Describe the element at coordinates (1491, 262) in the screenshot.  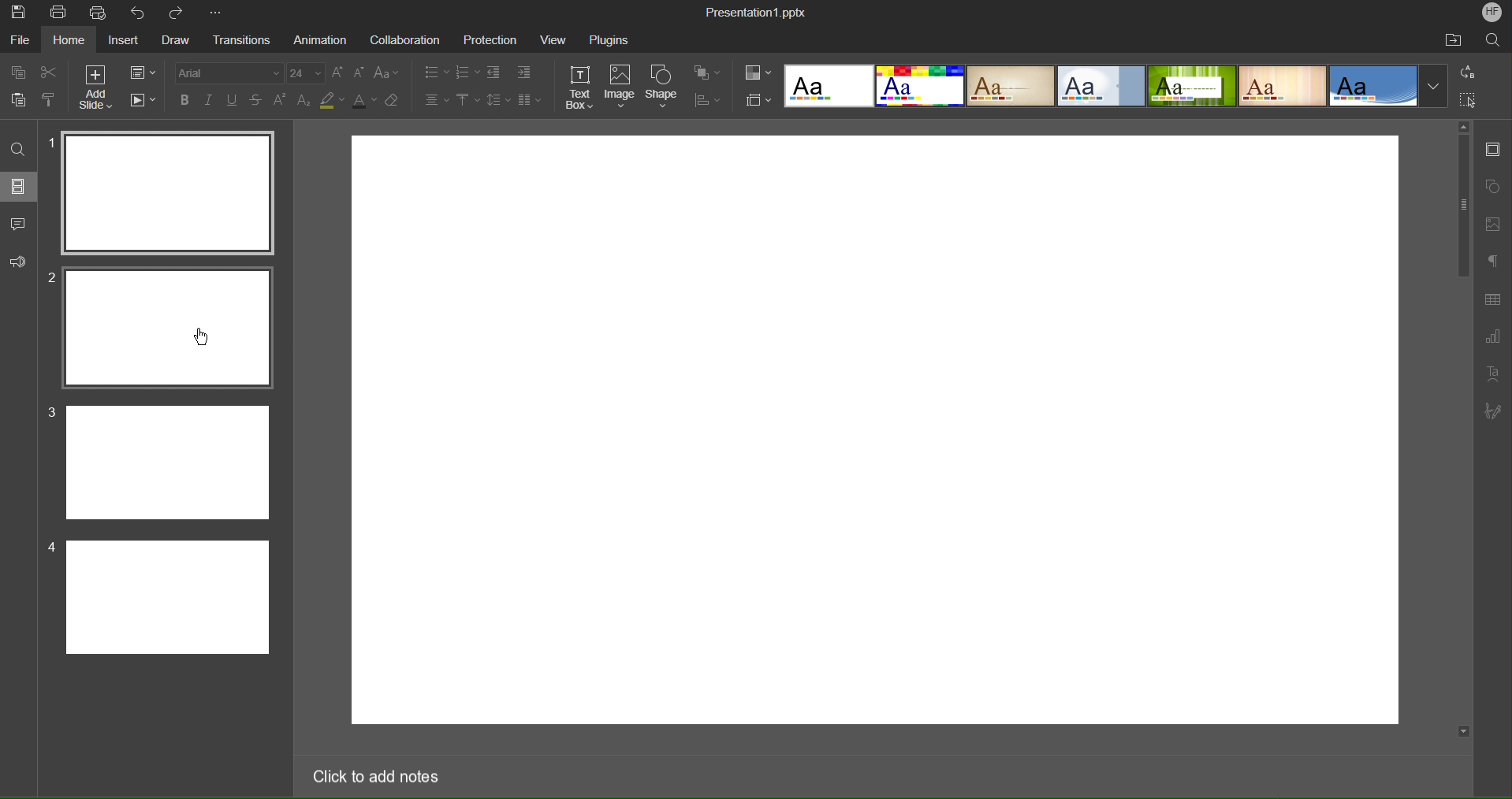
I see `Paragraph Settings` at that location.